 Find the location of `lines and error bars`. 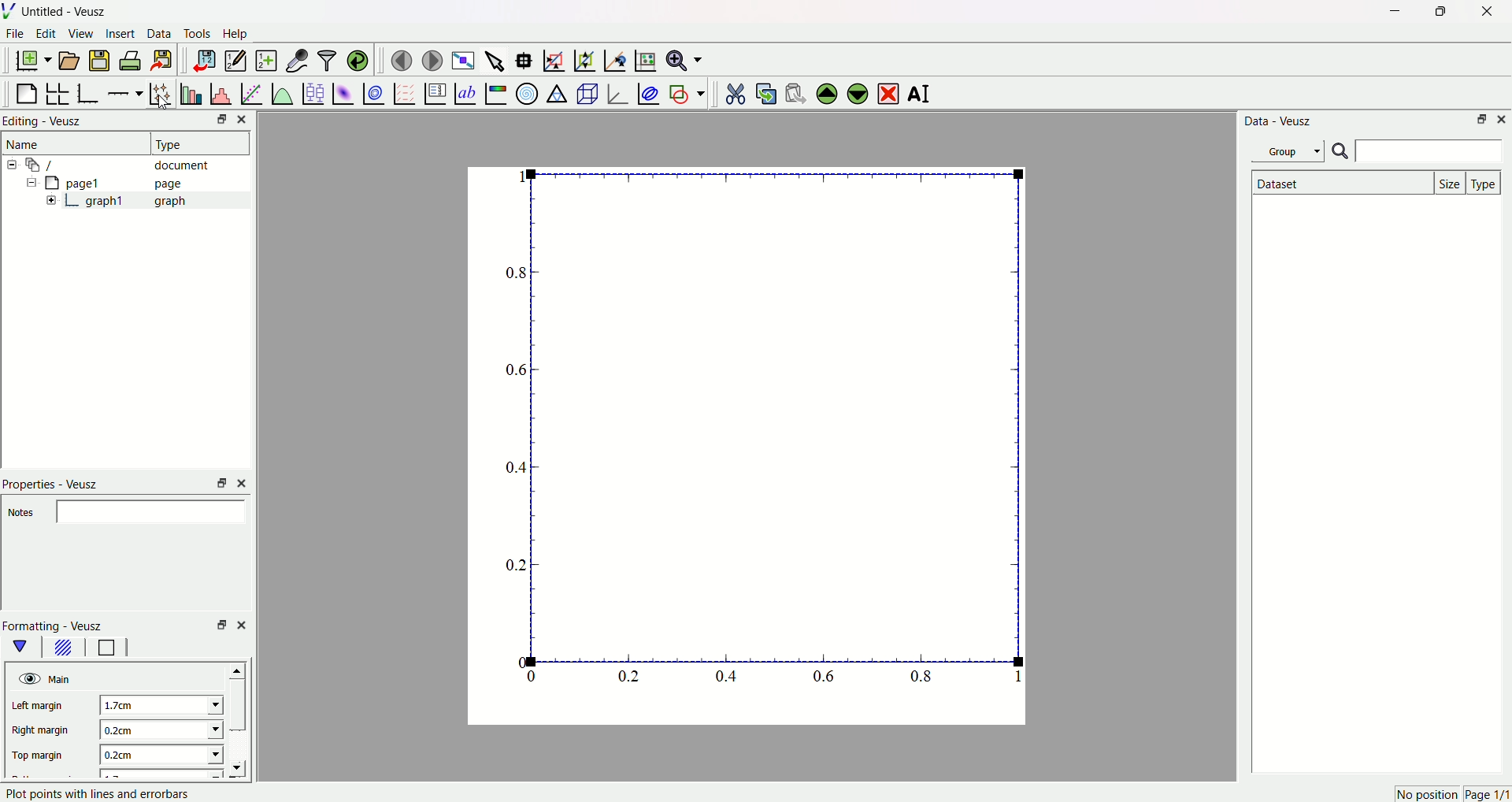

lines and error bars is located at coordinates (160, 92).